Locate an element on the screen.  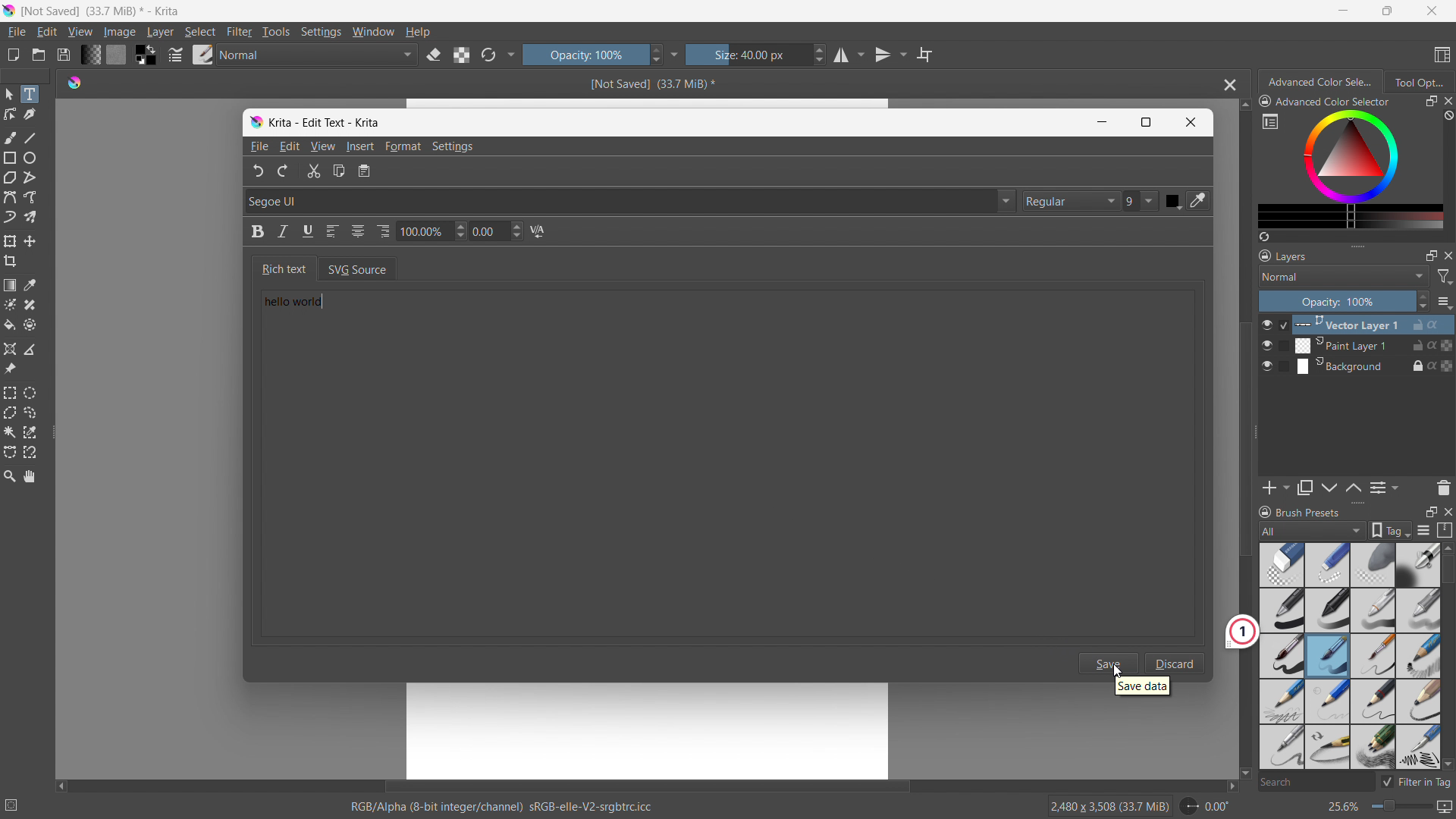
image is located at coordinates (121, 33).